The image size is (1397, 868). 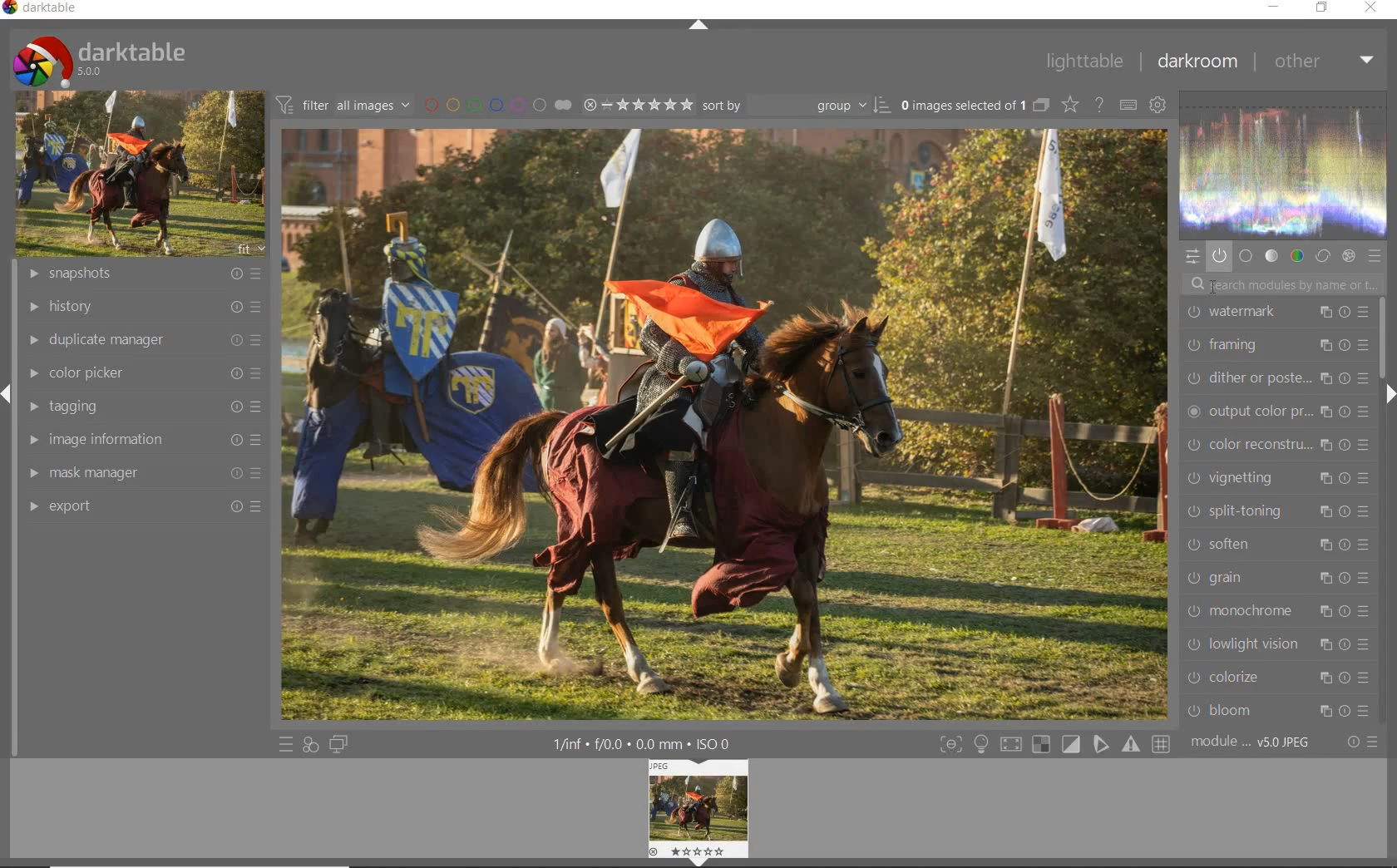 What do you see at coordinates (637, 104) in the screenshot?
I see `selected Image range rating` at bounding box center [637, 104].